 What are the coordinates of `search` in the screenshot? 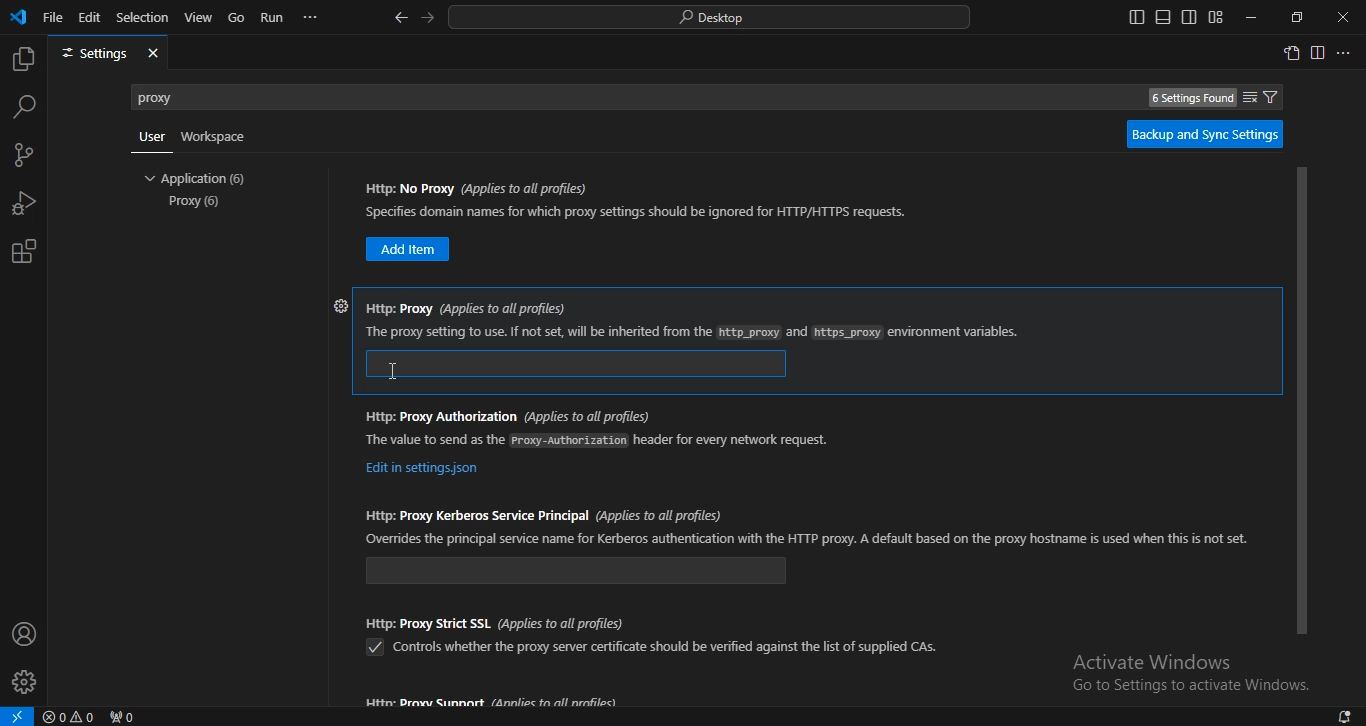 It's located at (711, 18).